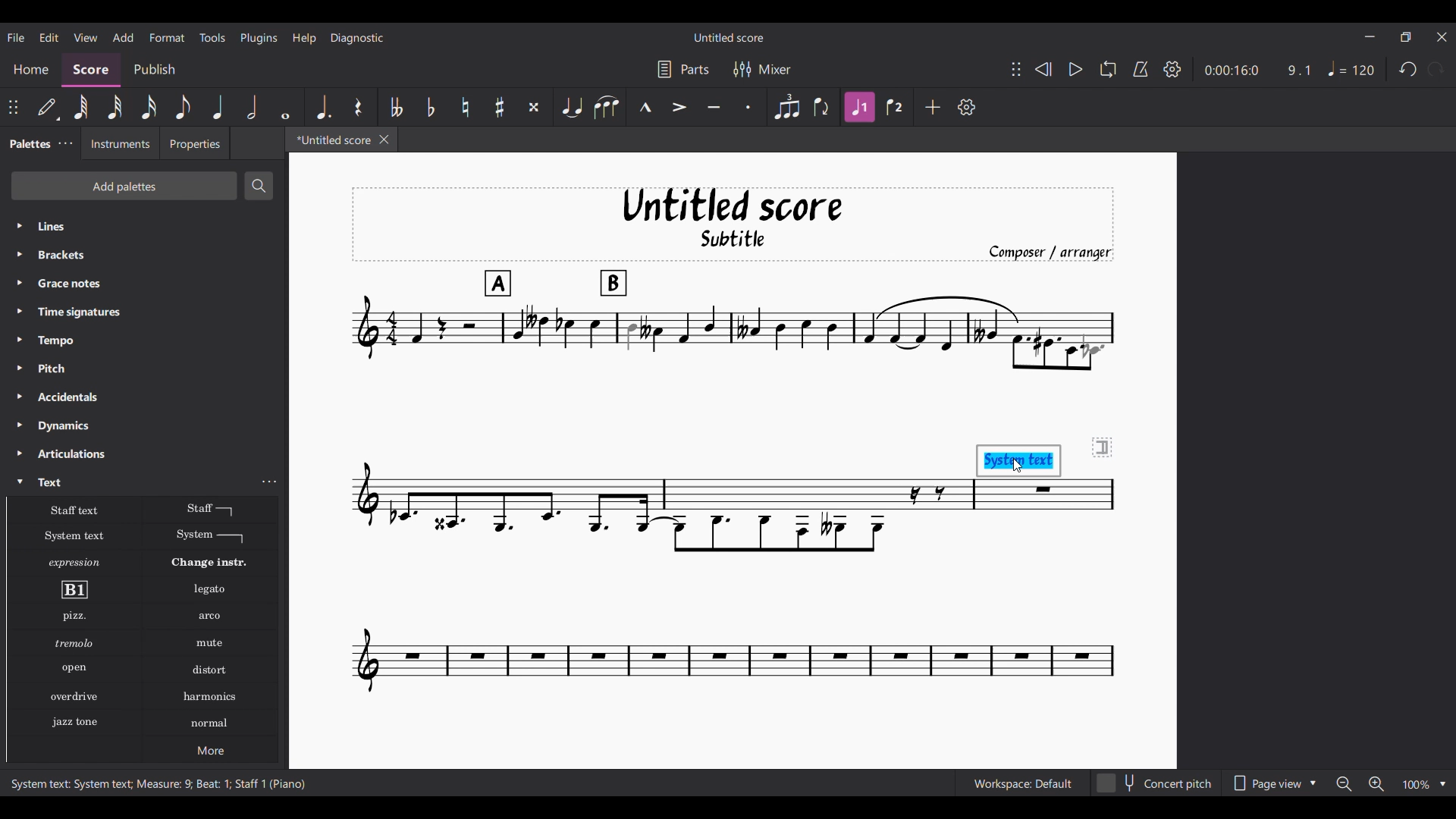 This screenshot has height=819, width=1456. Describe the element at coordinates (74, 536) in the screenshot. I see `System text` at that location.